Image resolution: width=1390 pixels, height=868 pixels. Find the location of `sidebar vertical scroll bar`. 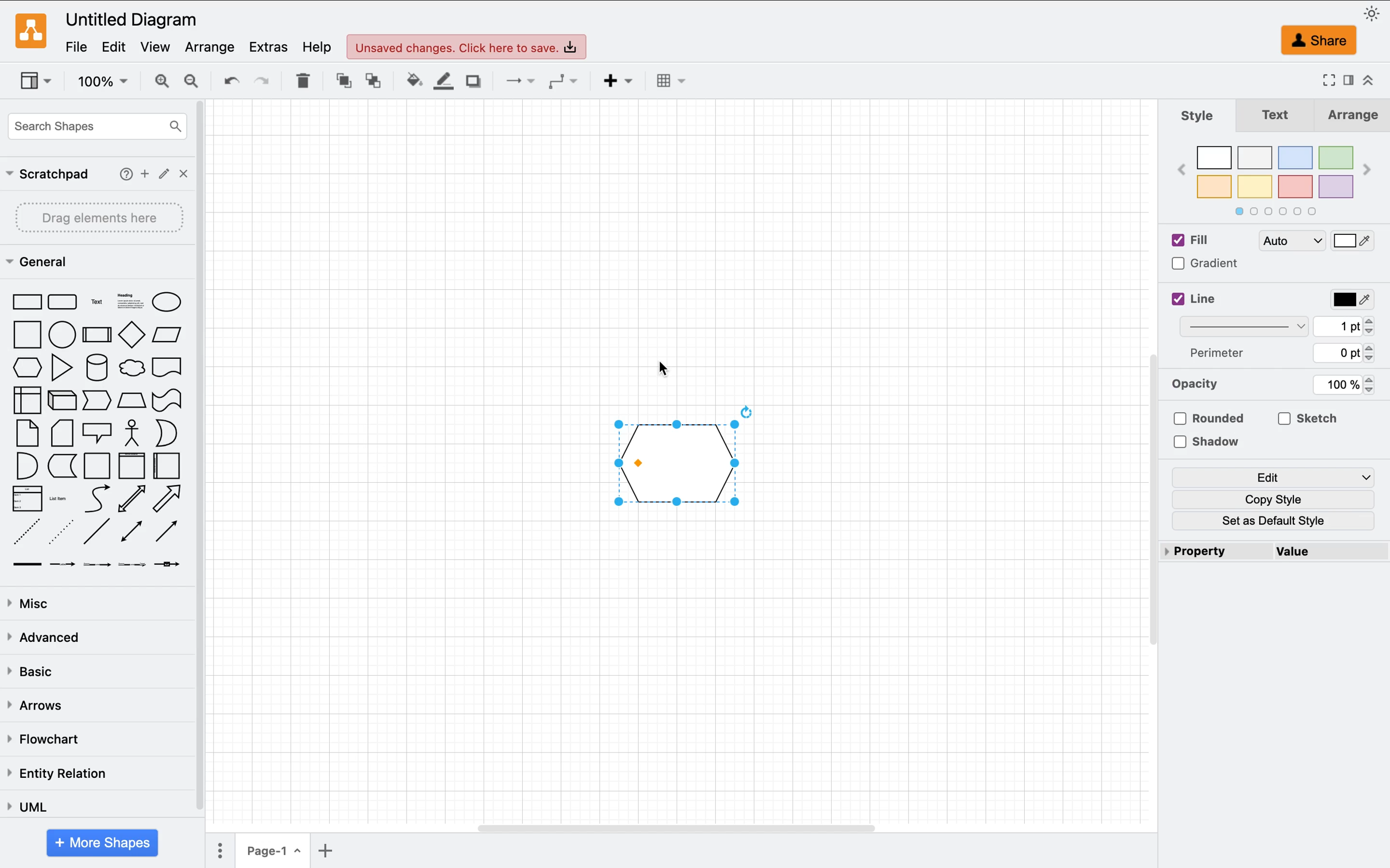

sidebar vertical scroll bar is located at coordinates (204, 456).